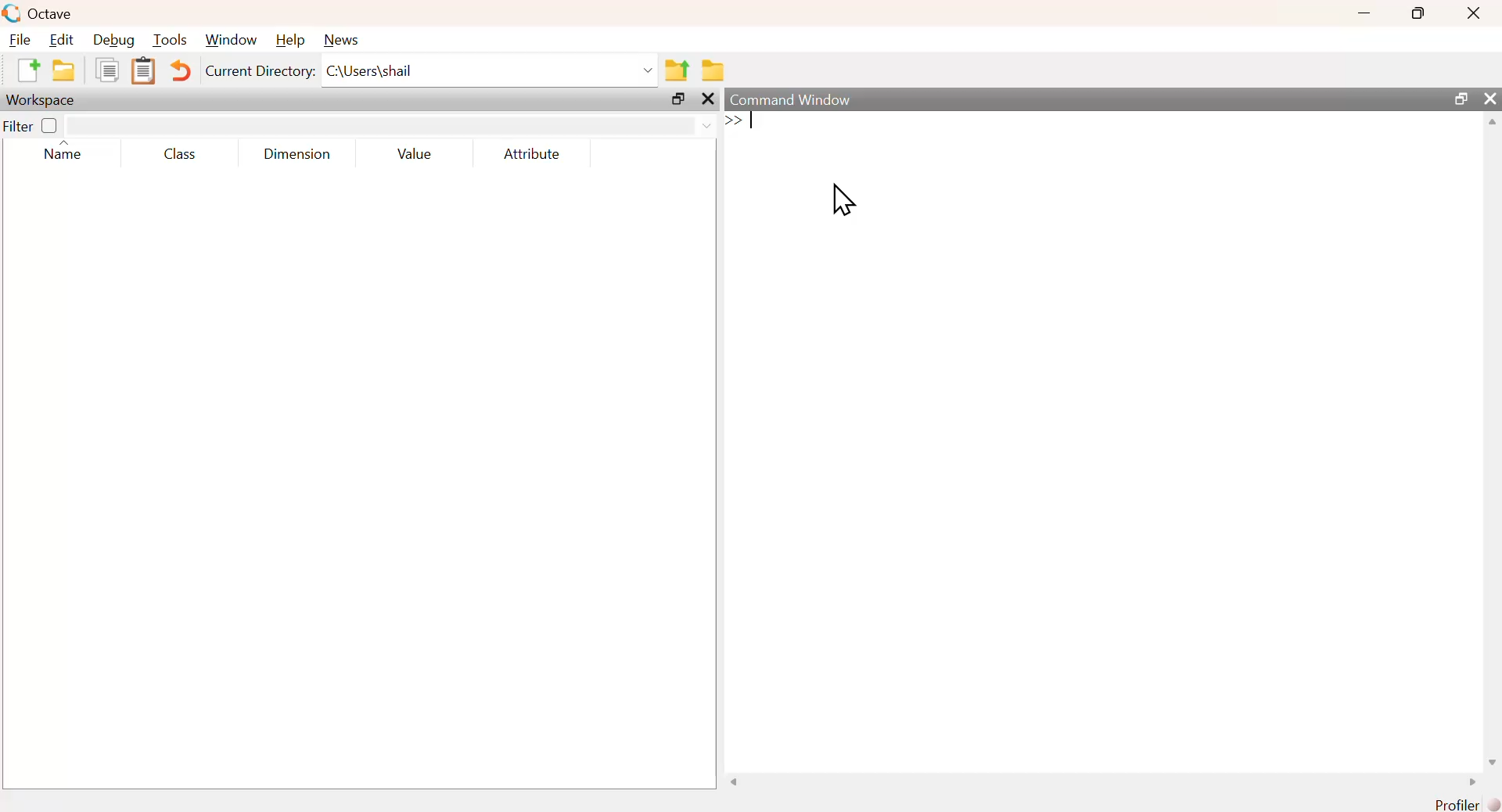 This screenshot has height=812, width=1502. Describe the element at coordinates (1472, 14) in the screenshot. I see `close` at that location.